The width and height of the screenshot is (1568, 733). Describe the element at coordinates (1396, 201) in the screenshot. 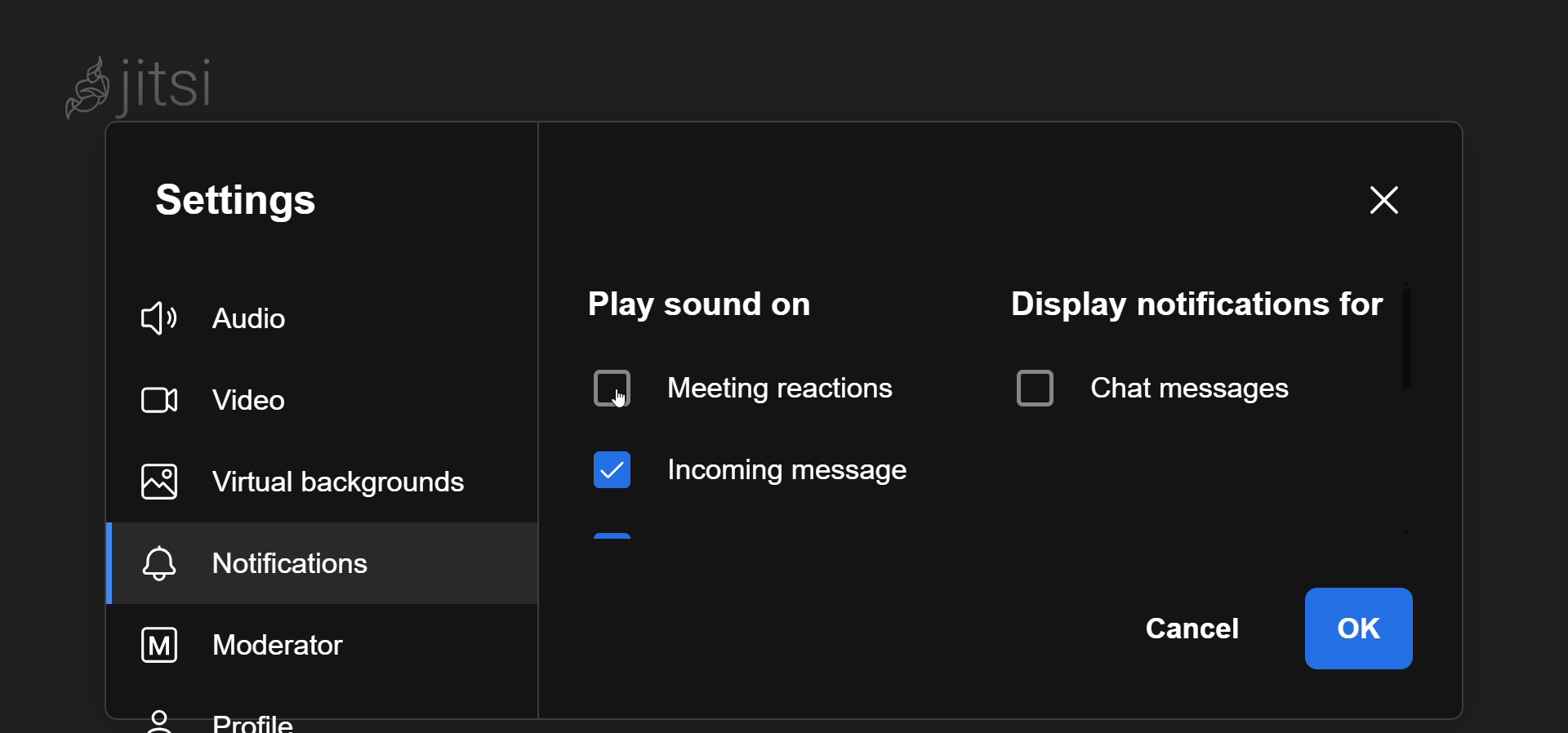

I see `close dialog` at that location.